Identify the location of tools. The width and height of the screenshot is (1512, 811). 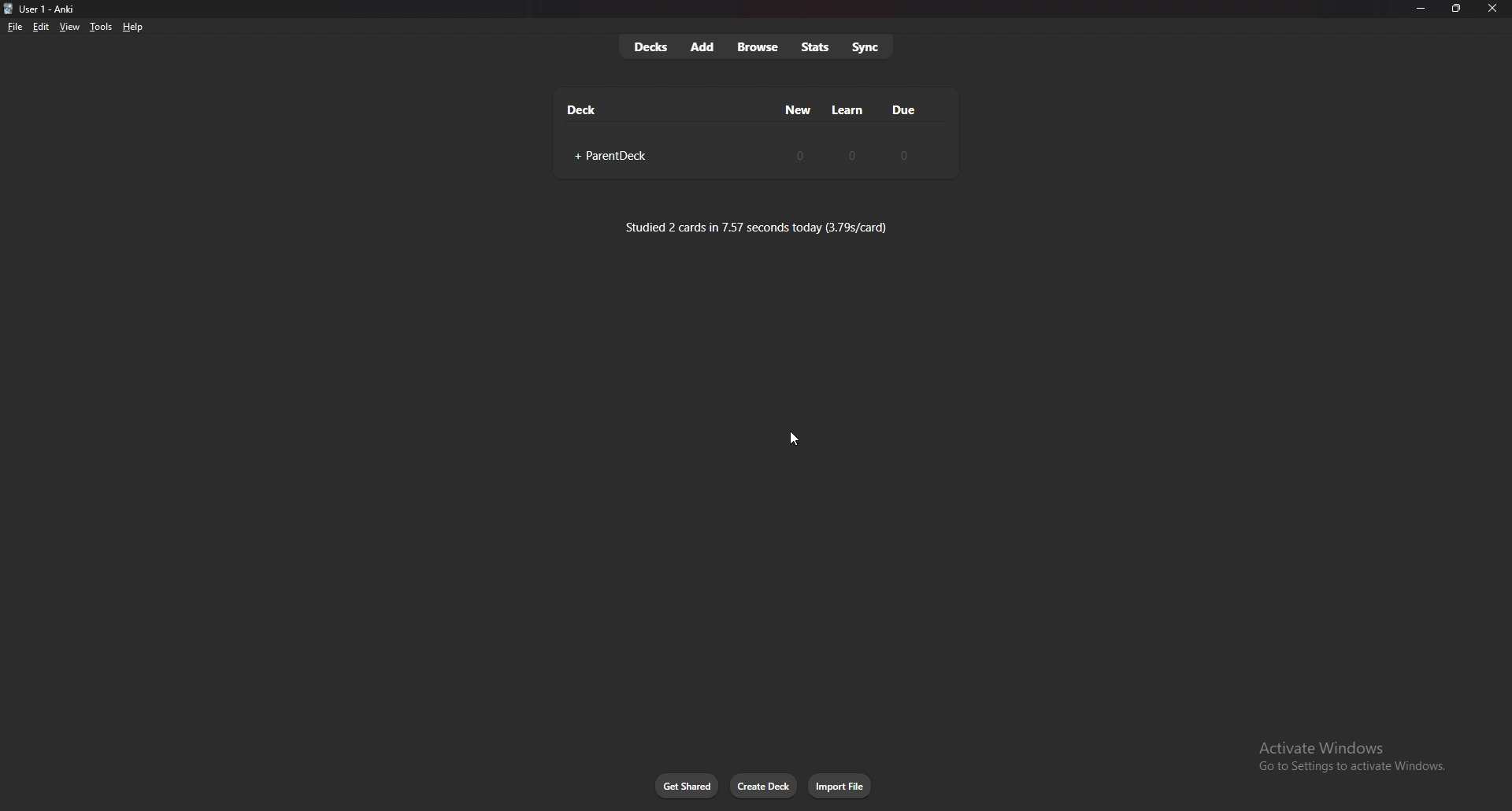
(101, 27).